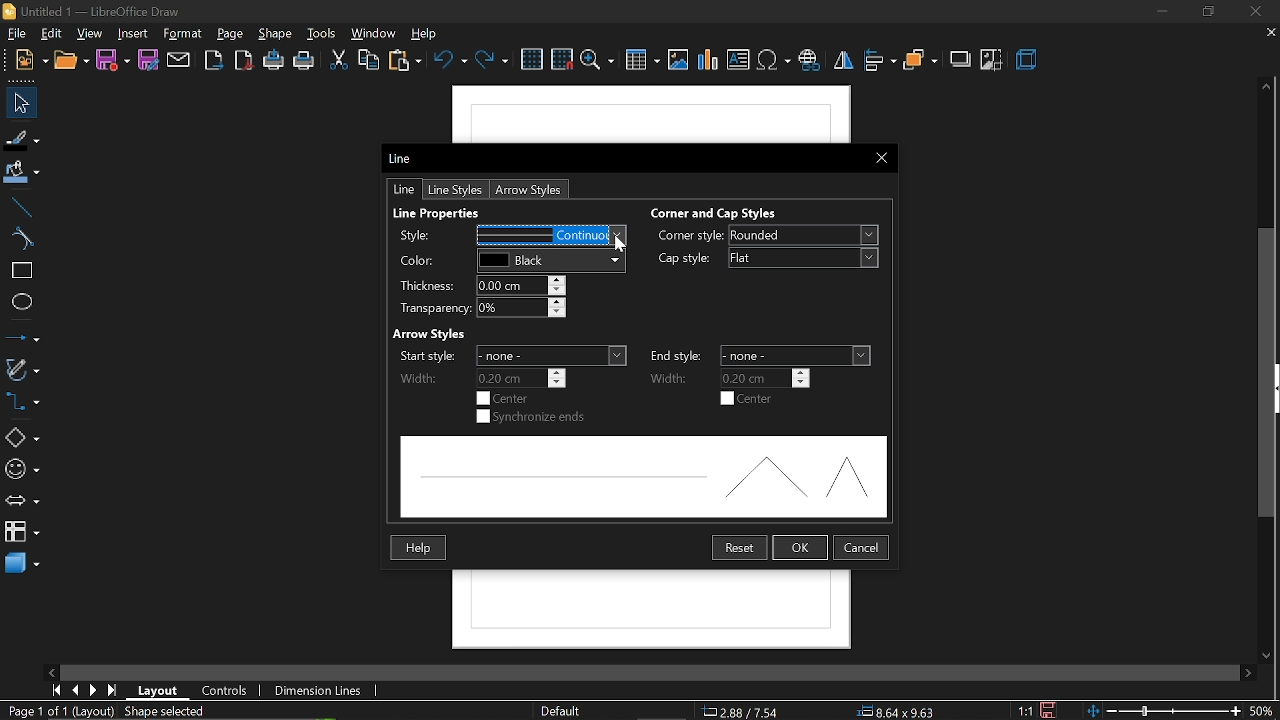 Image resolution: width=1280 pixels, height=720 pixels. Describe the element at coordinates (50, 34) in the screenshot. I see `edit` at that location.